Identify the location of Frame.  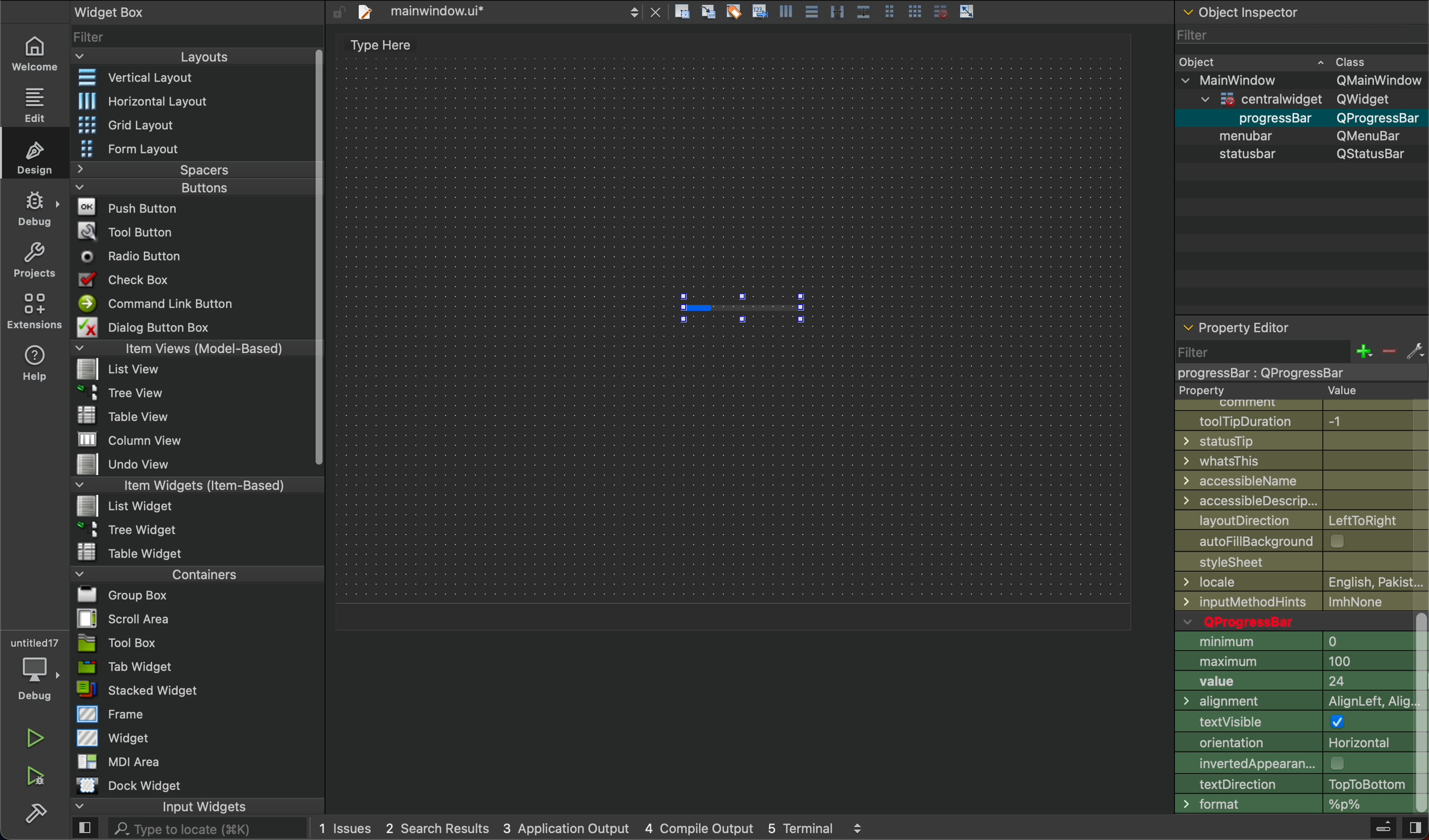
(112, 714).